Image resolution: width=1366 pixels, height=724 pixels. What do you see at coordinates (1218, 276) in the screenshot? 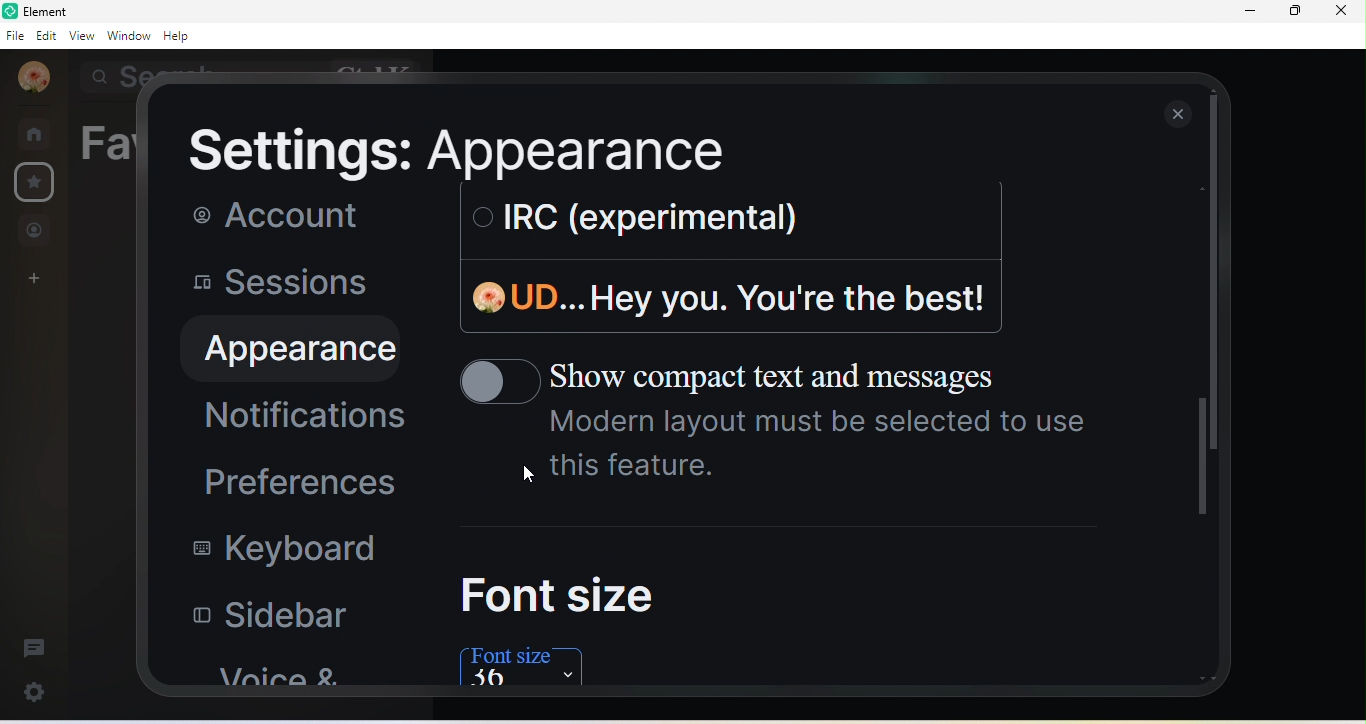
I see `` at bounding box center [1218, 276].